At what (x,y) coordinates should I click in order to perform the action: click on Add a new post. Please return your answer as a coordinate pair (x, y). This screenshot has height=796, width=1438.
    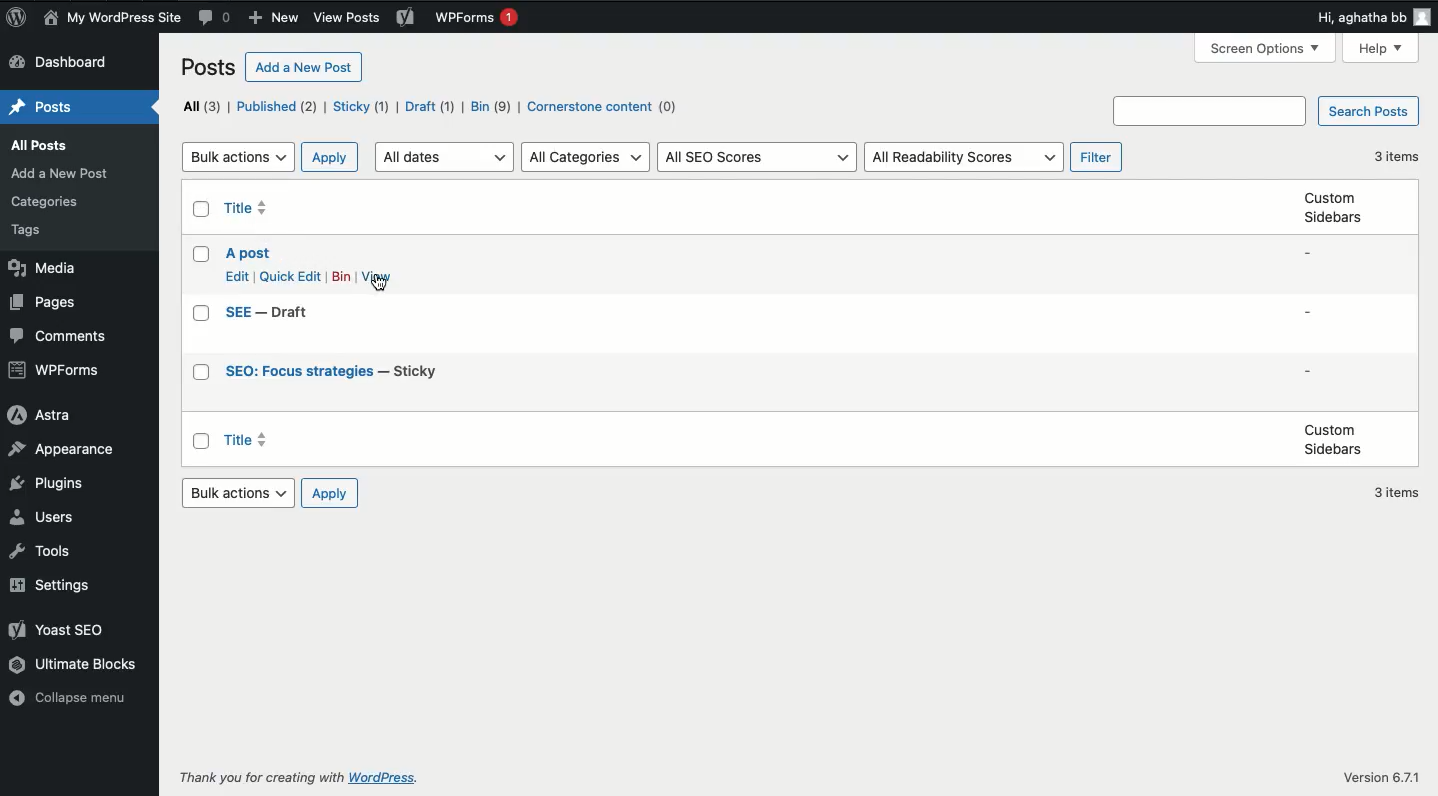
    Looking at the image, I should click on (306, 68).